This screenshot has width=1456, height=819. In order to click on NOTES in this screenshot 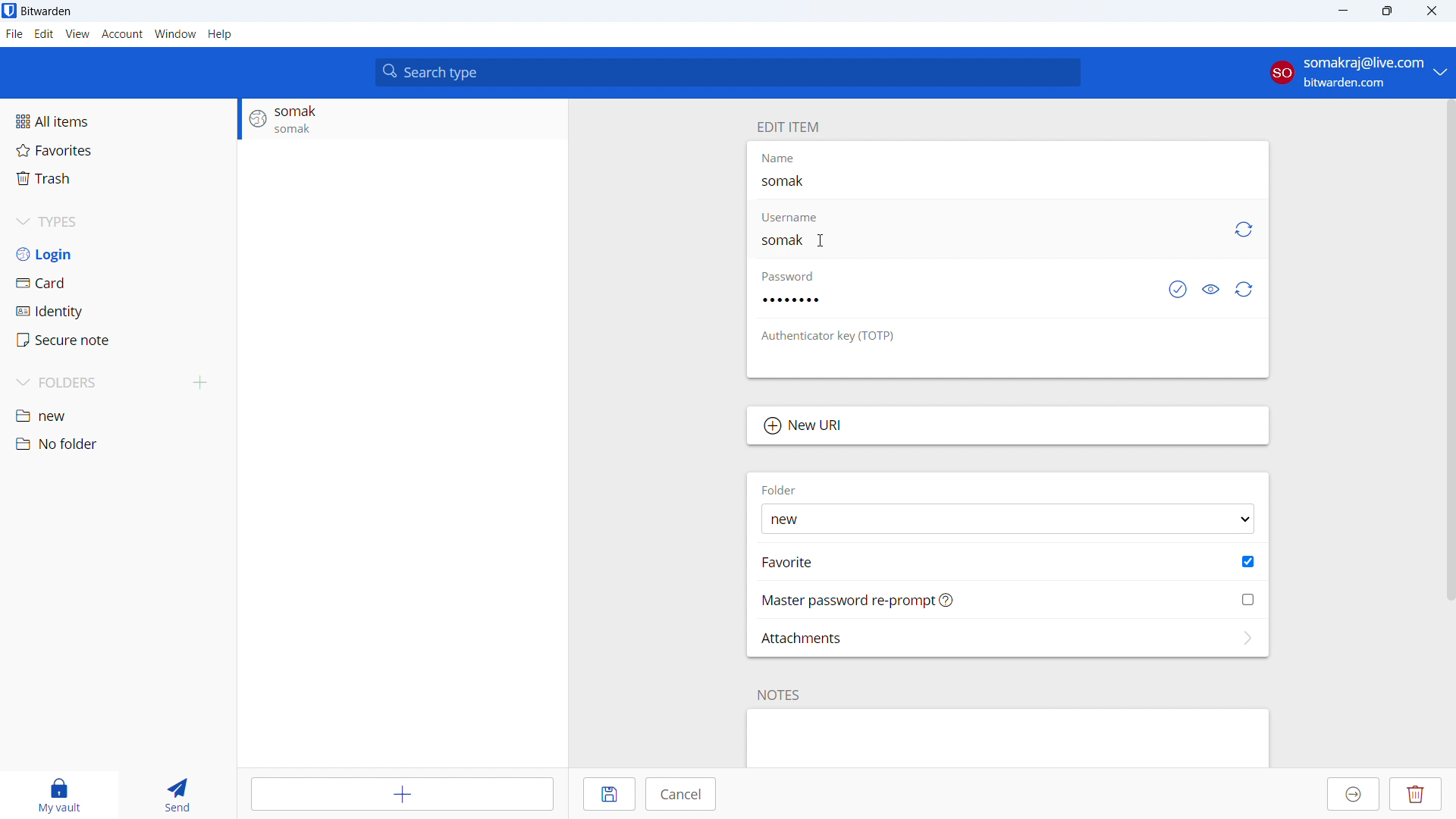, I will do `click(780, 695)`.